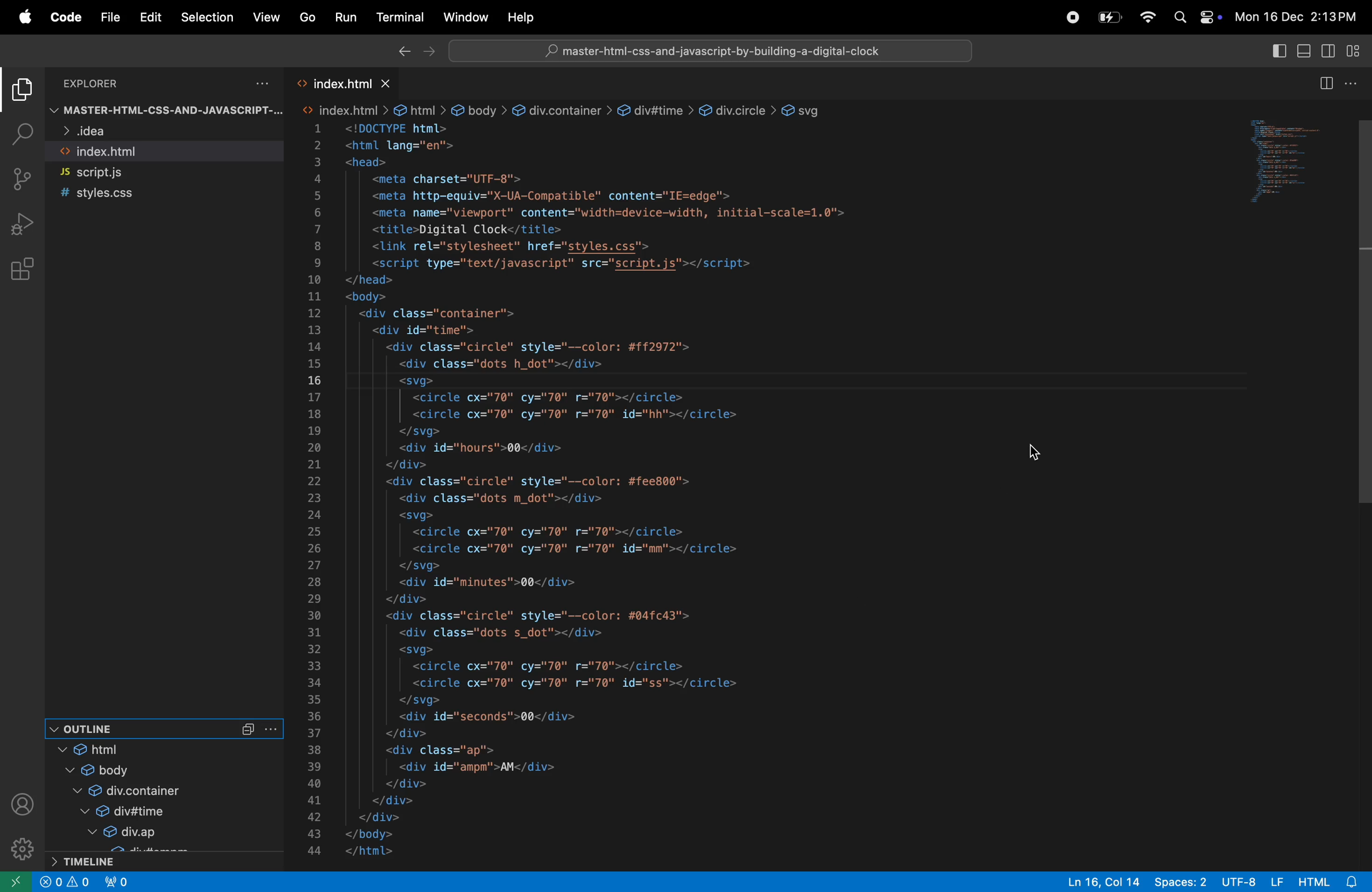  I want to click on idea, so click(146, 133).